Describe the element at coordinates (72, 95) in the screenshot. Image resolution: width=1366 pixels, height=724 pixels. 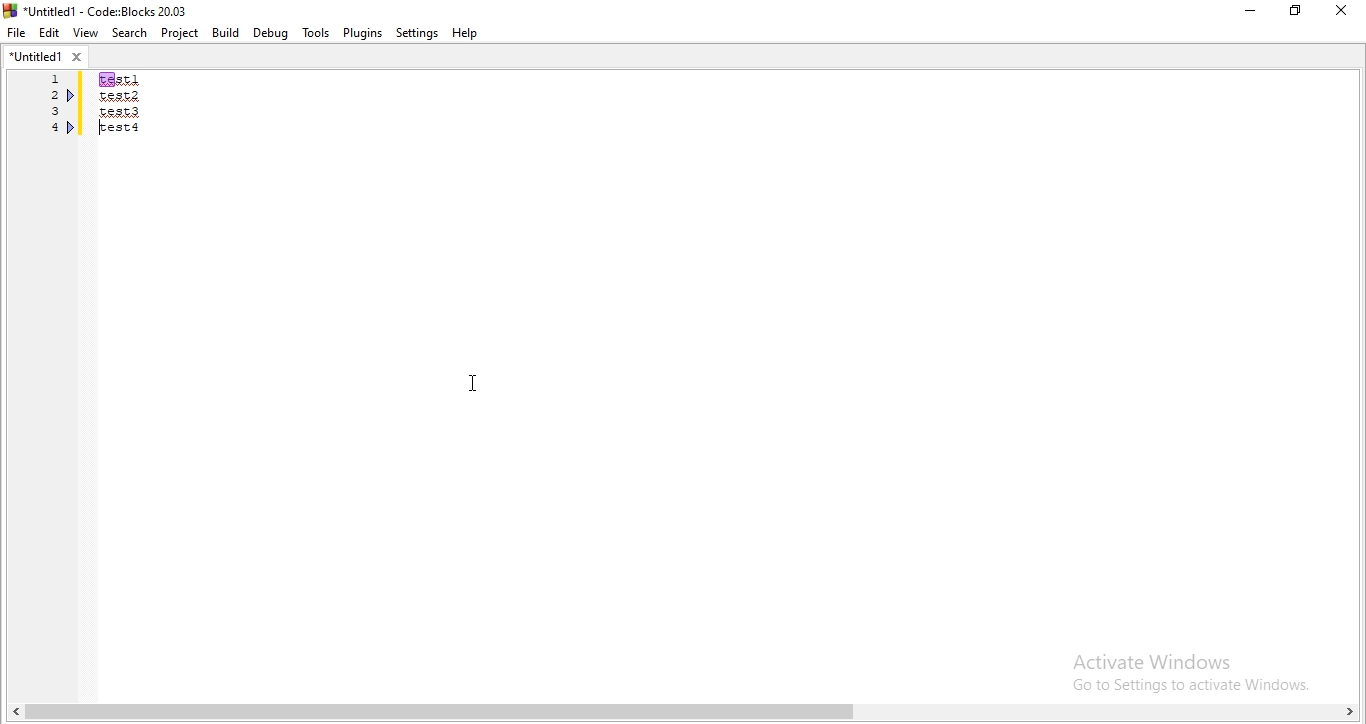
I see `Debugger Point in 2 ` at that location.